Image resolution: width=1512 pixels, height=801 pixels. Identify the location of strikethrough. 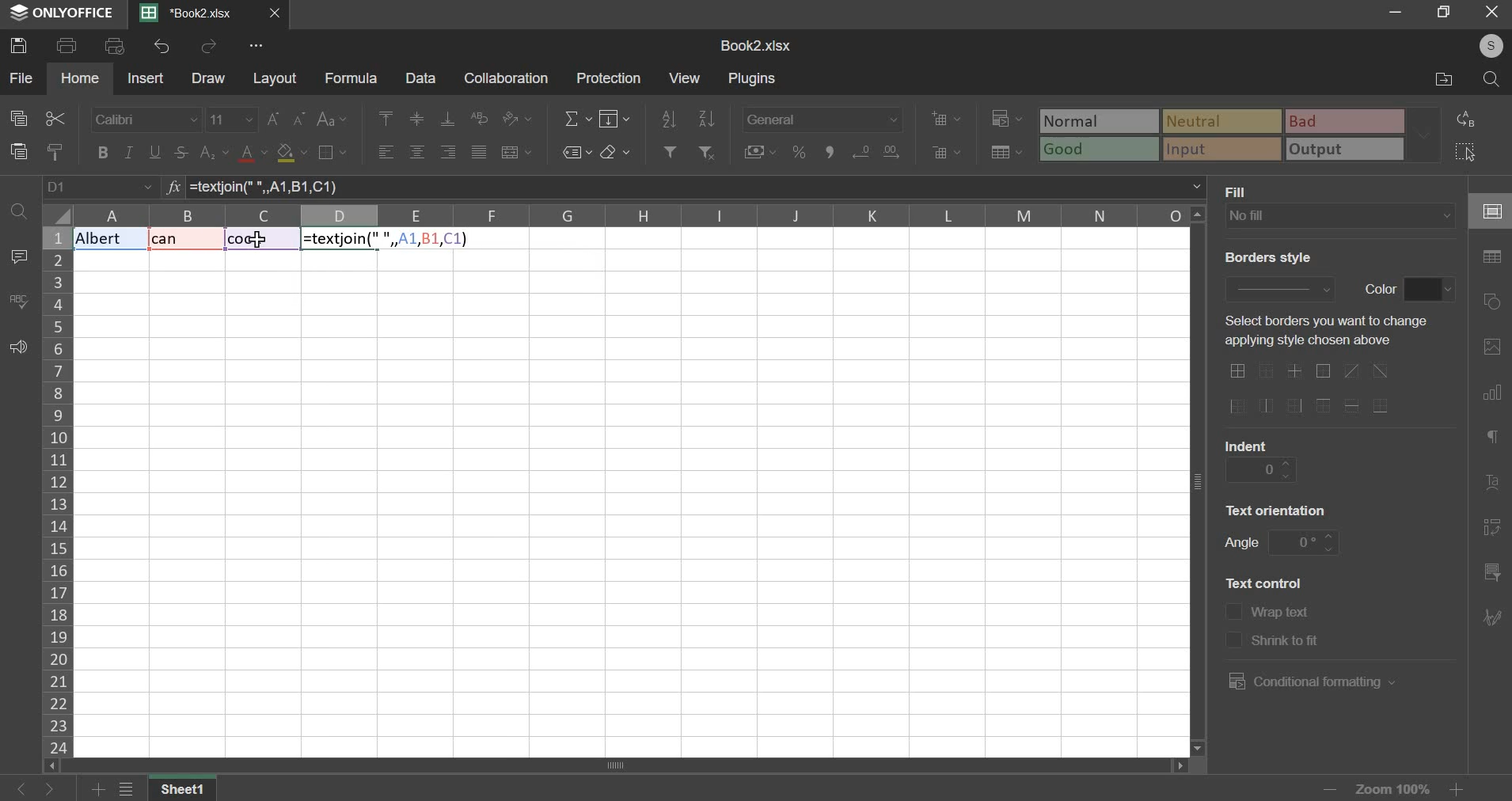
(180, 152).